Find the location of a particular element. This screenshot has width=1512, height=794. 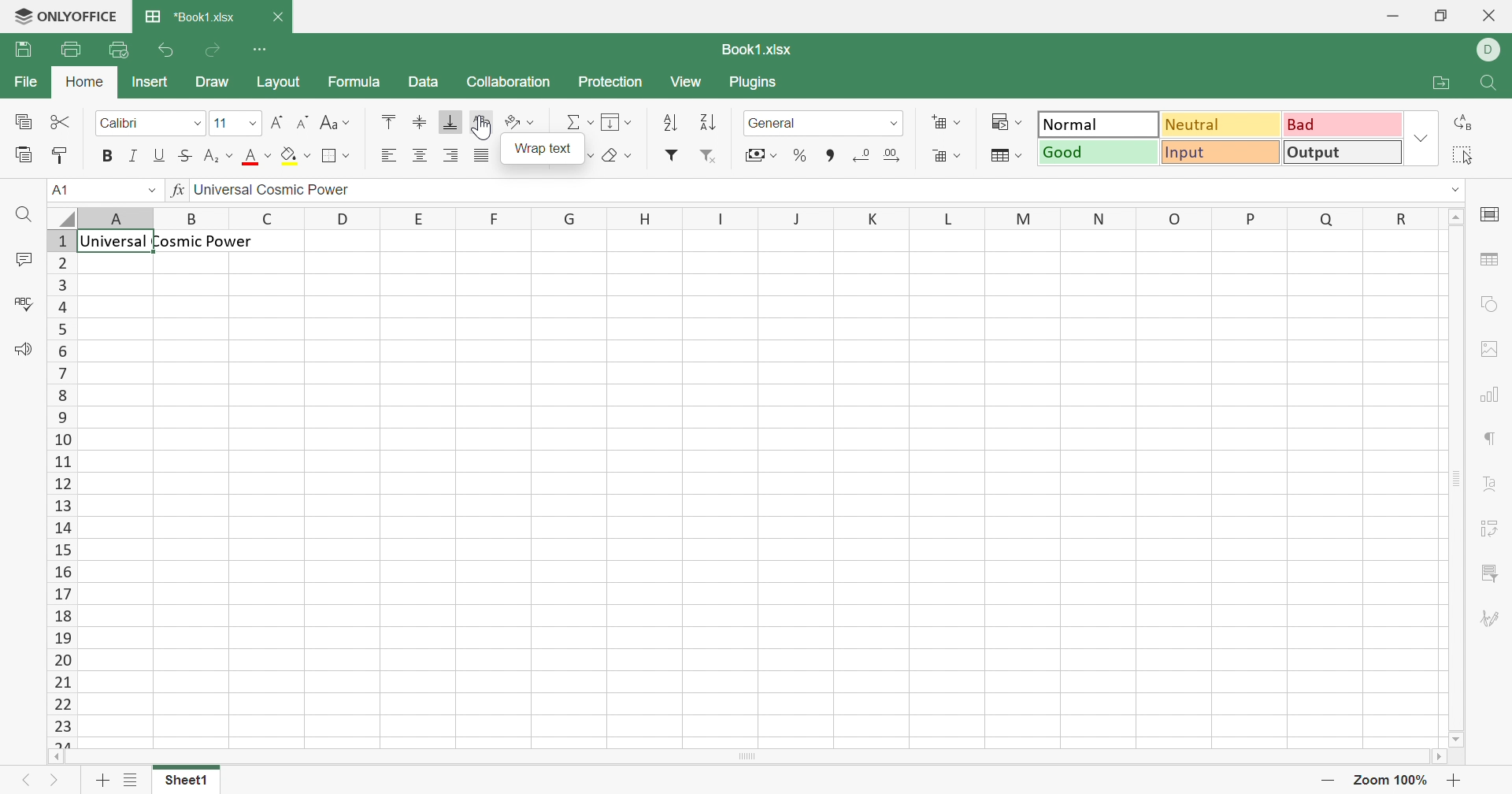

shape settings is located at coordinates (1495, 302).